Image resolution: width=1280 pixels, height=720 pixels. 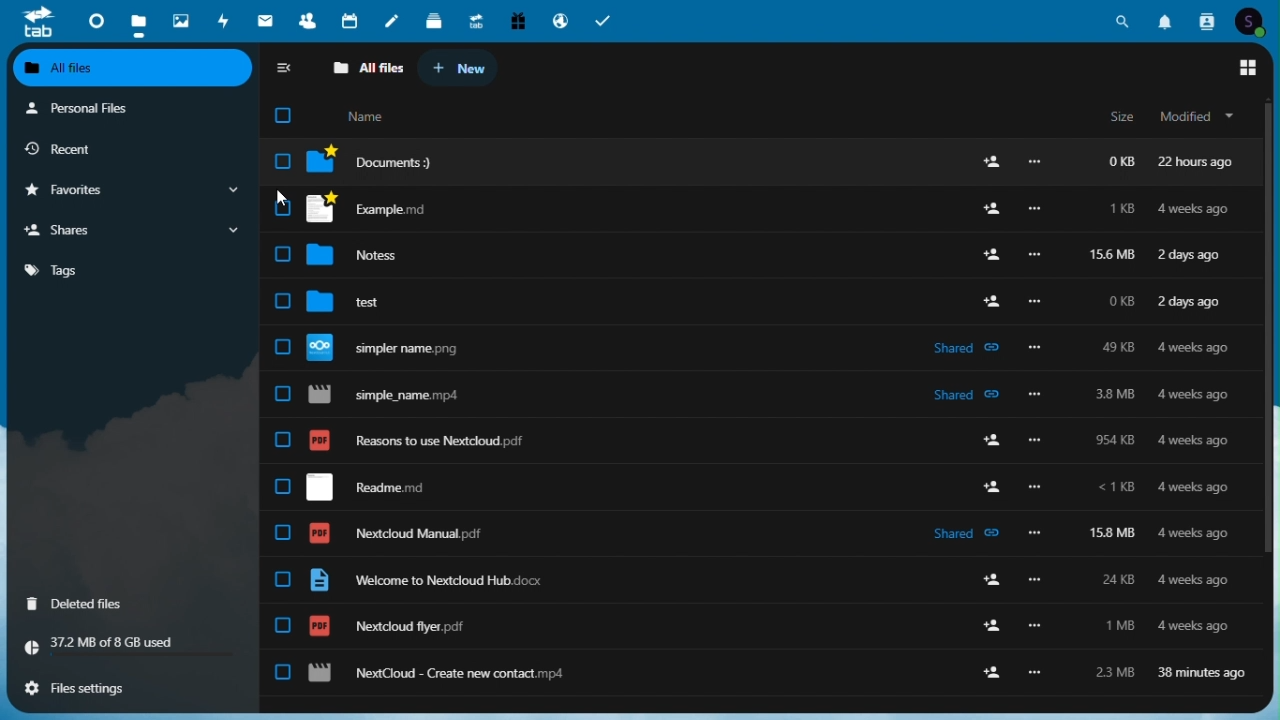 I want to click on Activity photos, so click(x=225, y=20).